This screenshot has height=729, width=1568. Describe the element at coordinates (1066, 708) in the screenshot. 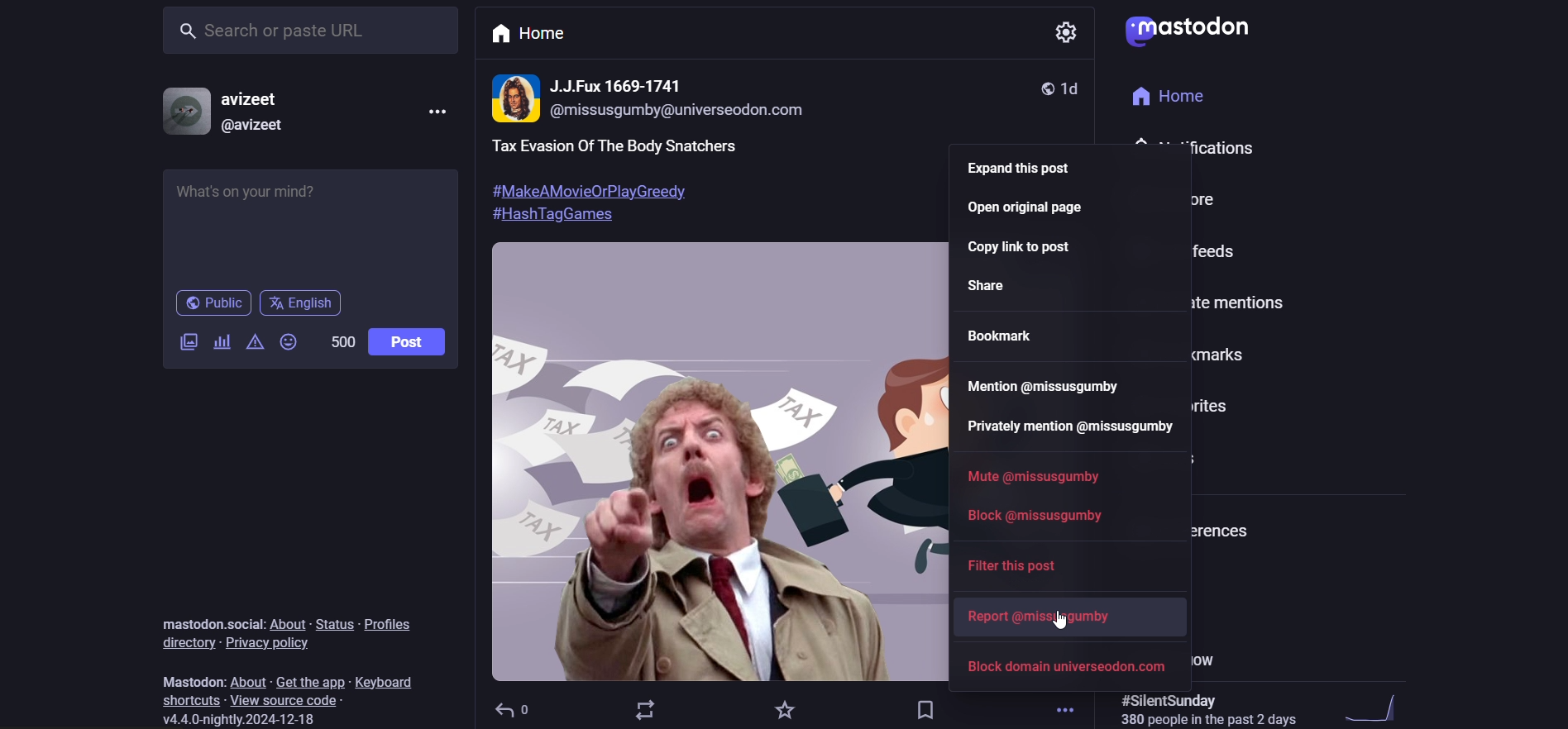

I see `more` at that location.